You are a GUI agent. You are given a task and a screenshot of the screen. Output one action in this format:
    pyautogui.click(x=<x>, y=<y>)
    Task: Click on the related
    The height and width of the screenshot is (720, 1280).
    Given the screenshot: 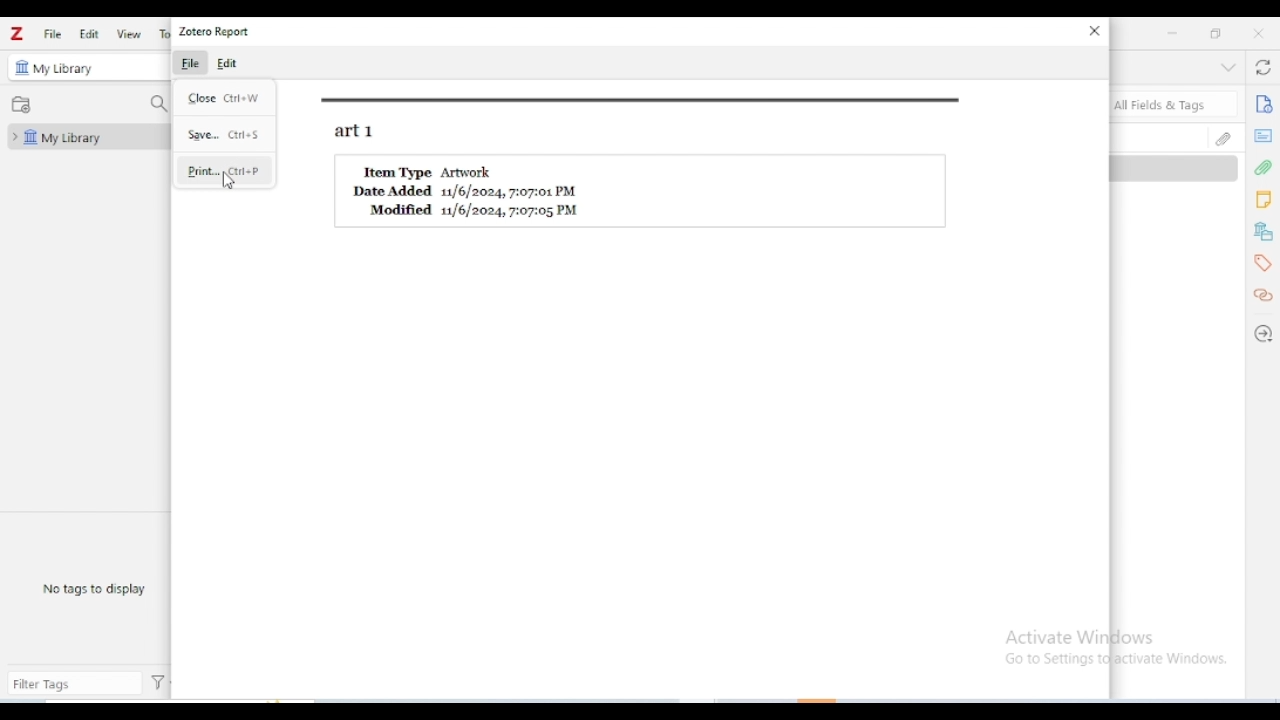 What is the action you would take?
    pyautogui.click(x=1262, y=295)
    